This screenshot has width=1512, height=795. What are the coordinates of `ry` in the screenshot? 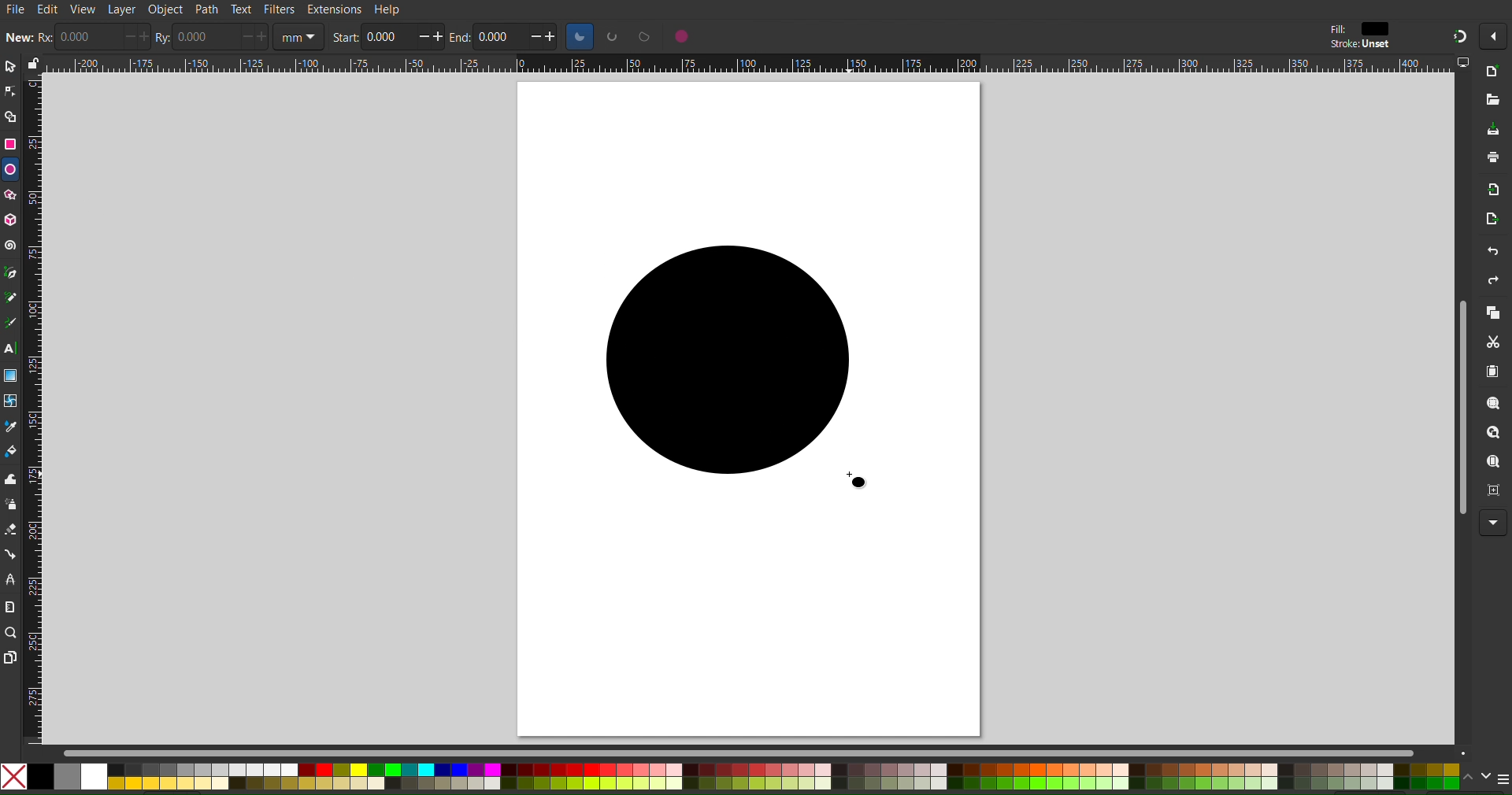 It's located at (161, 40).